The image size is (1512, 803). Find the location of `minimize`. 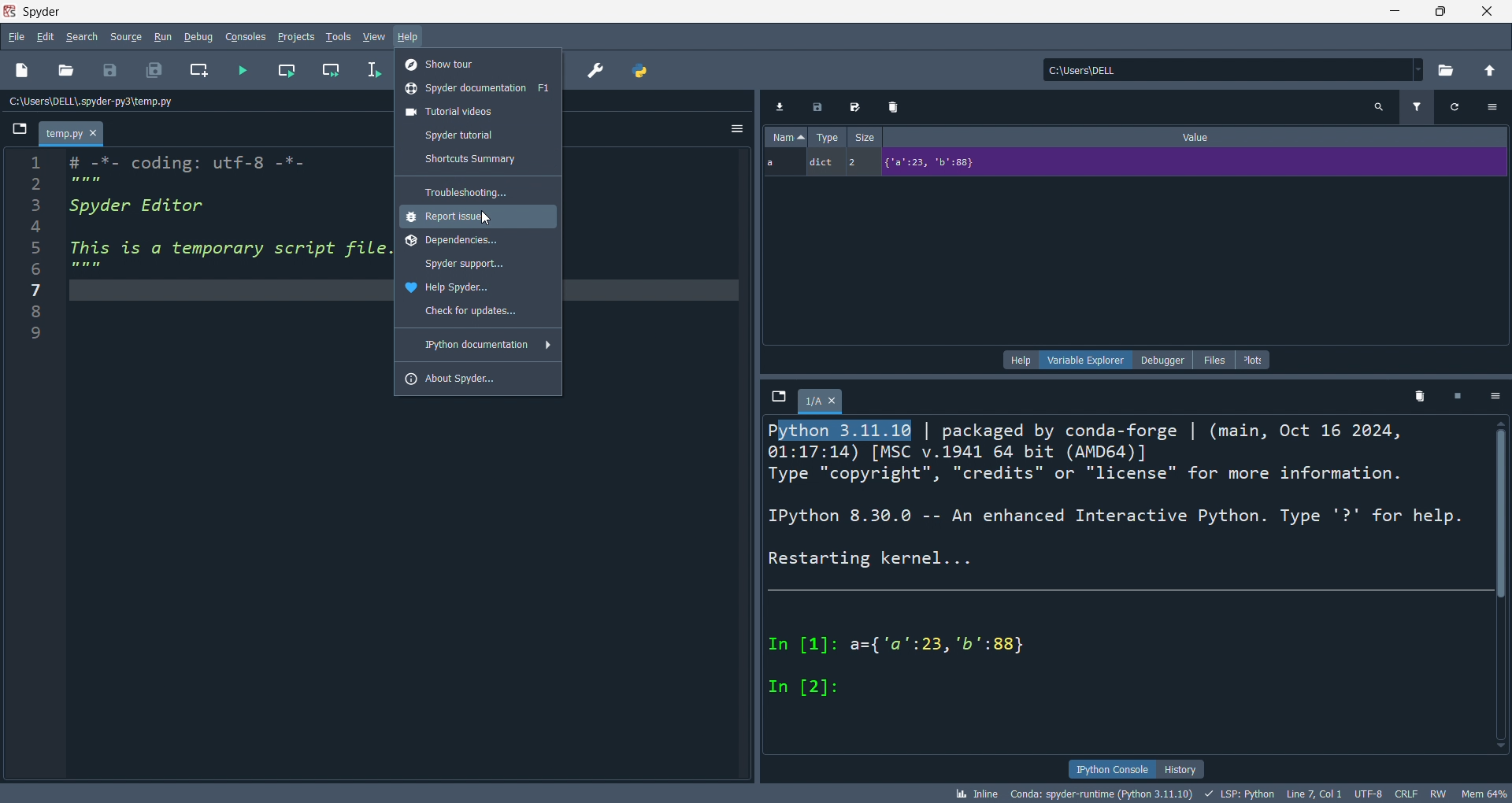

minimize is located at coordinates (1392, 12).